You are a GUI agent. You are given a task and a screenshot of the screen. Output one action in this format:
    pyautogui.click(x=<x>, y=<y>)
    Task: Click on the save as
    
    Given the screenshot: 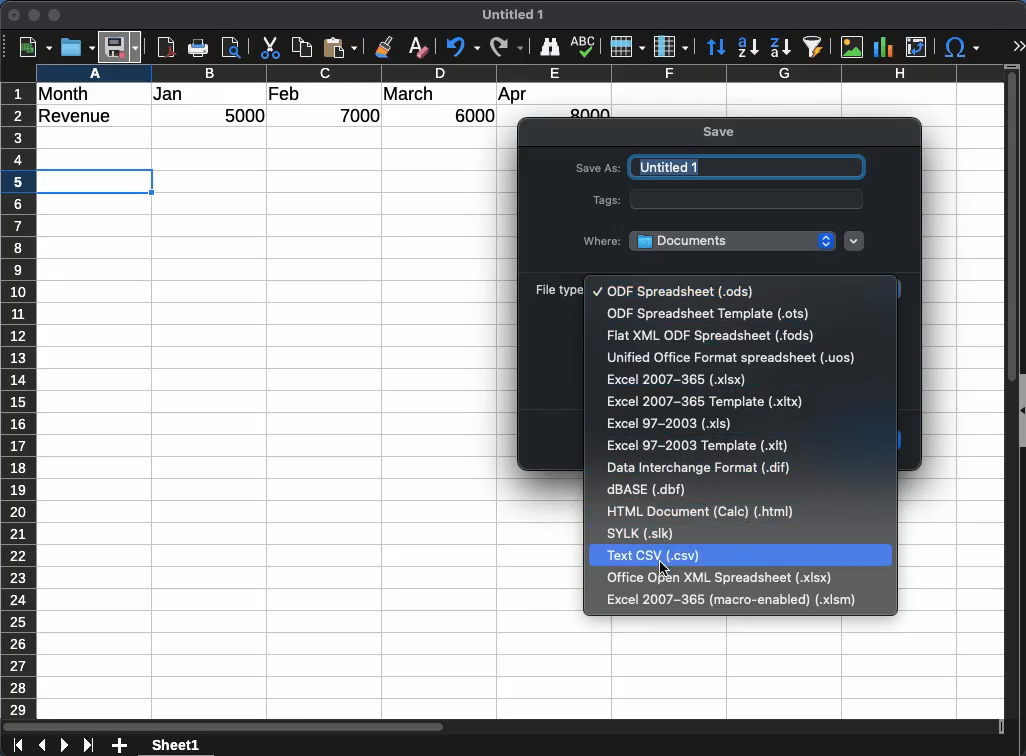 What is the action you would take?
    pyautogui.click(x=598, y=170)
    